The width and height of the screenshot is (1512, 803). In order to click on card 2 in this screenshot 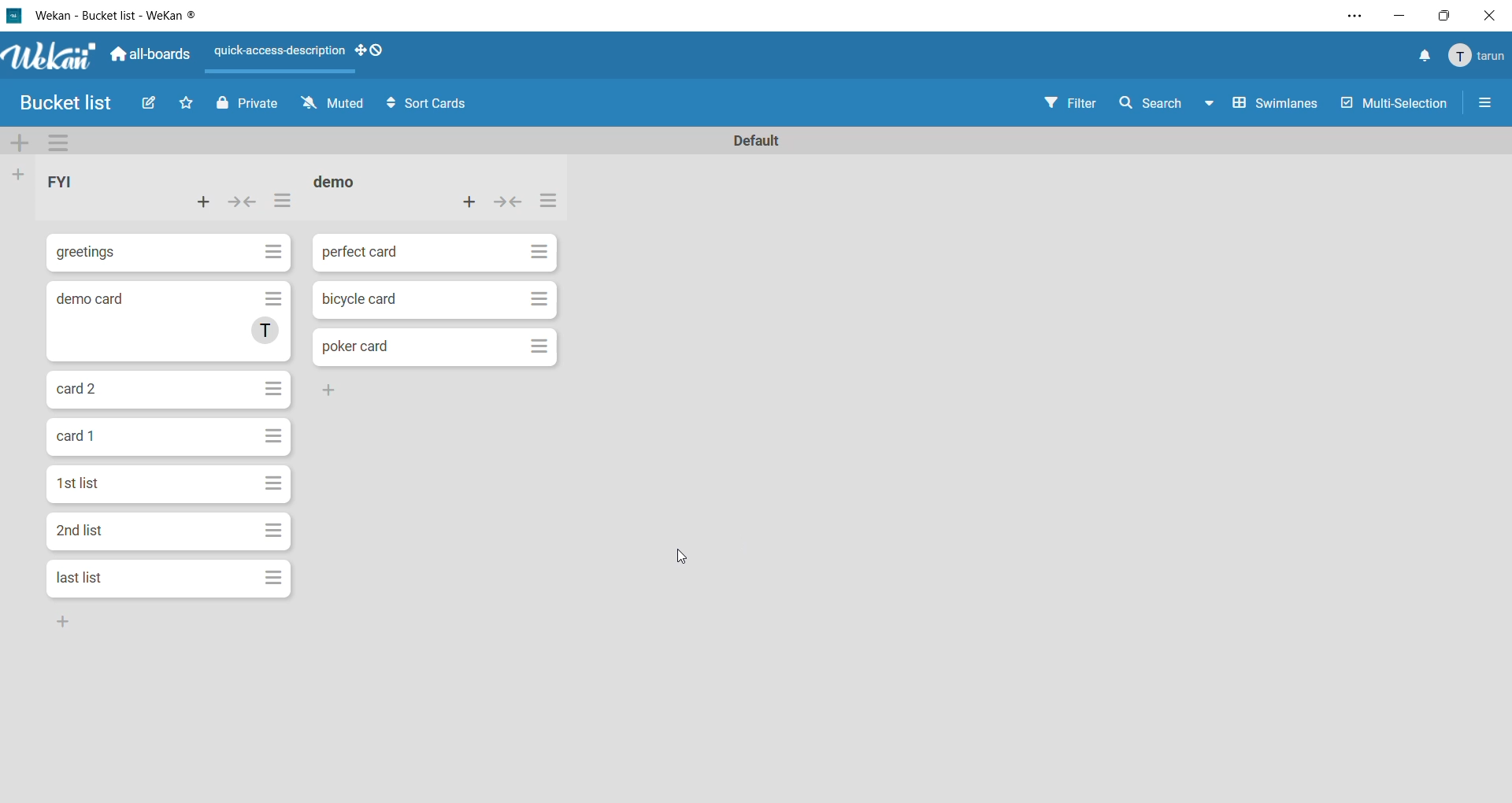, I will do `click(173, 388)`.